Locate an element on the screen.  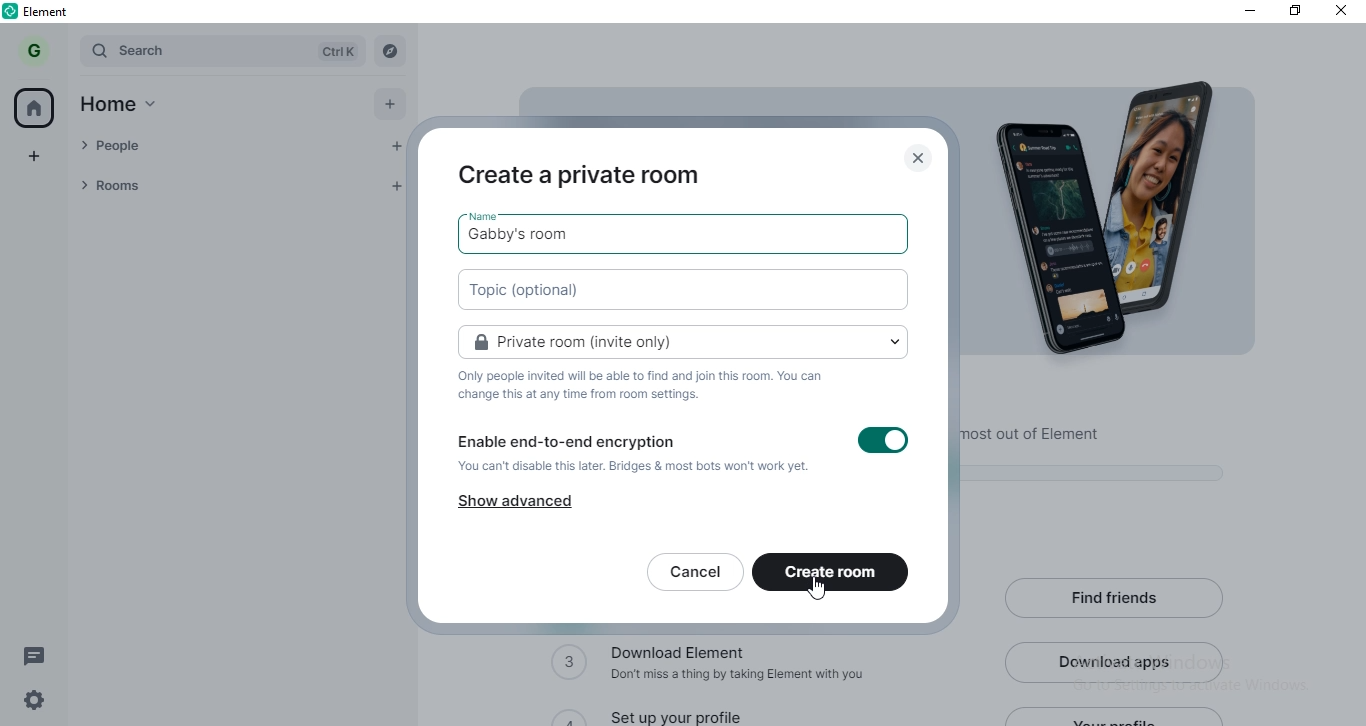
people is located at coordinates (221, 148).